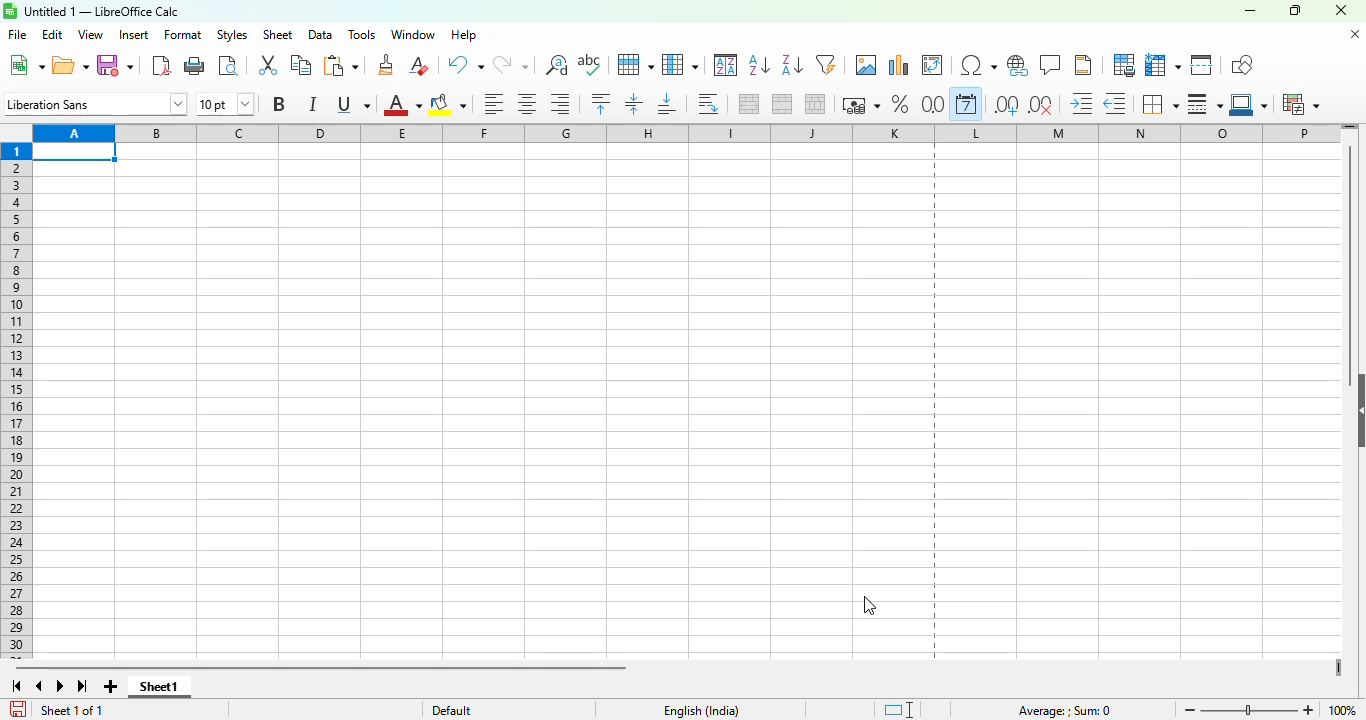 The image size is (1366, 720). What do you see at coordinates (557, 65) in the screenshot?
I see `find and replace ` at bounding box center [557, 65].